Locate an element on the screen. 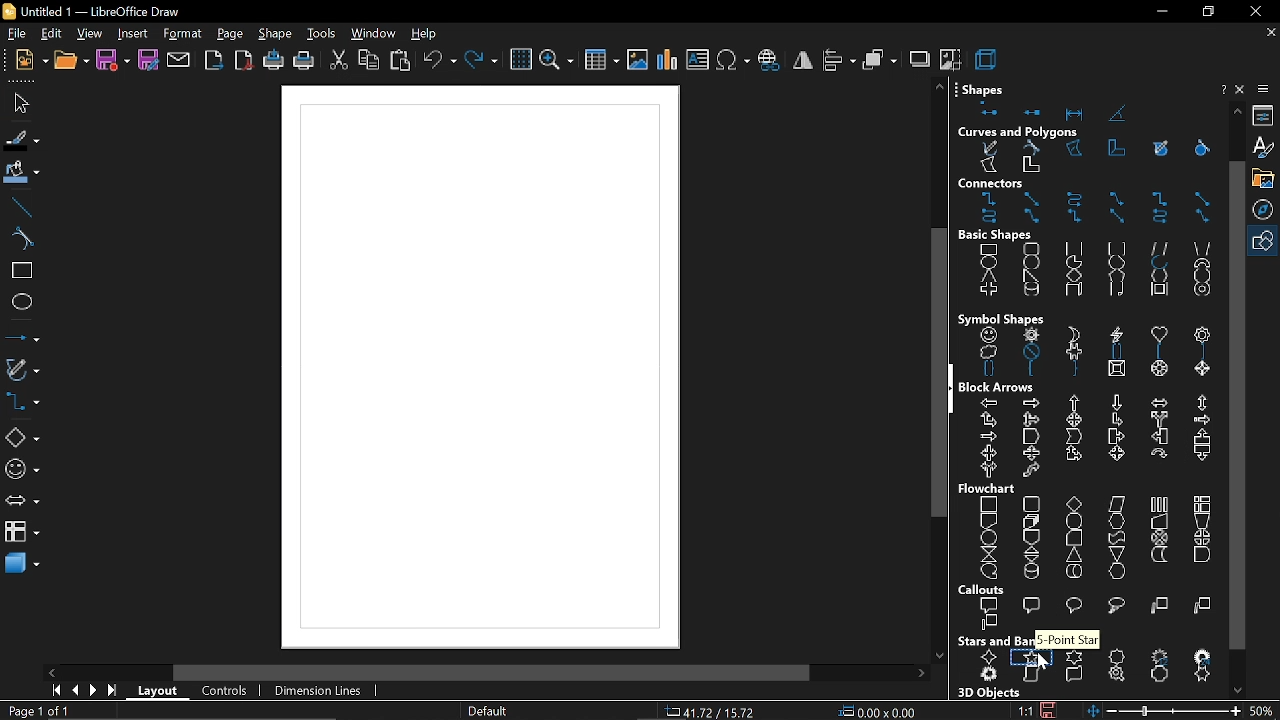 The image size is (1280, 720). close tab is located at coordinates (1269, 33).